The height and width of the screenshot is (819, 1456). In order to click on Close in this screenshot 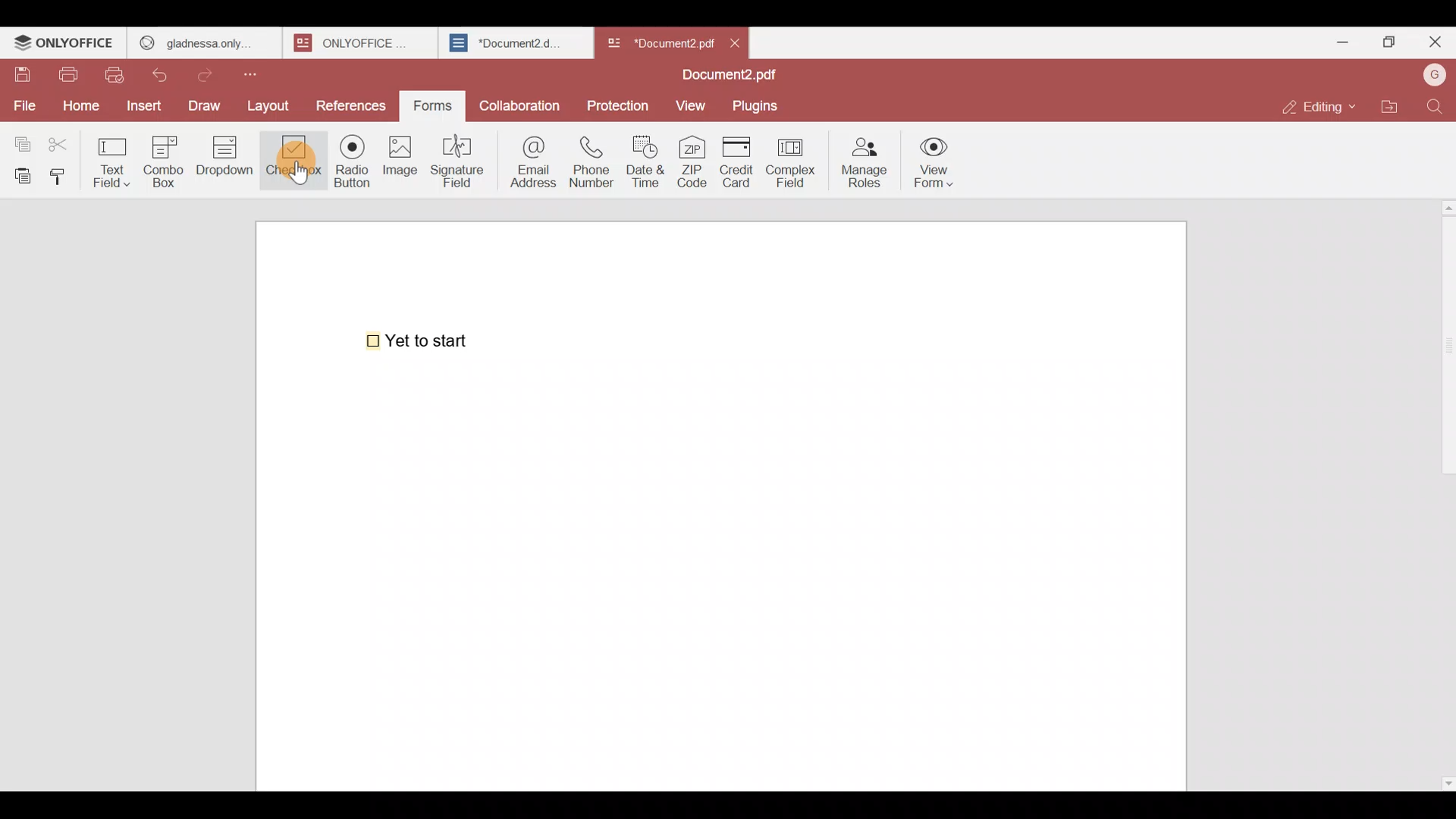, I will do `click(742, 42)`.